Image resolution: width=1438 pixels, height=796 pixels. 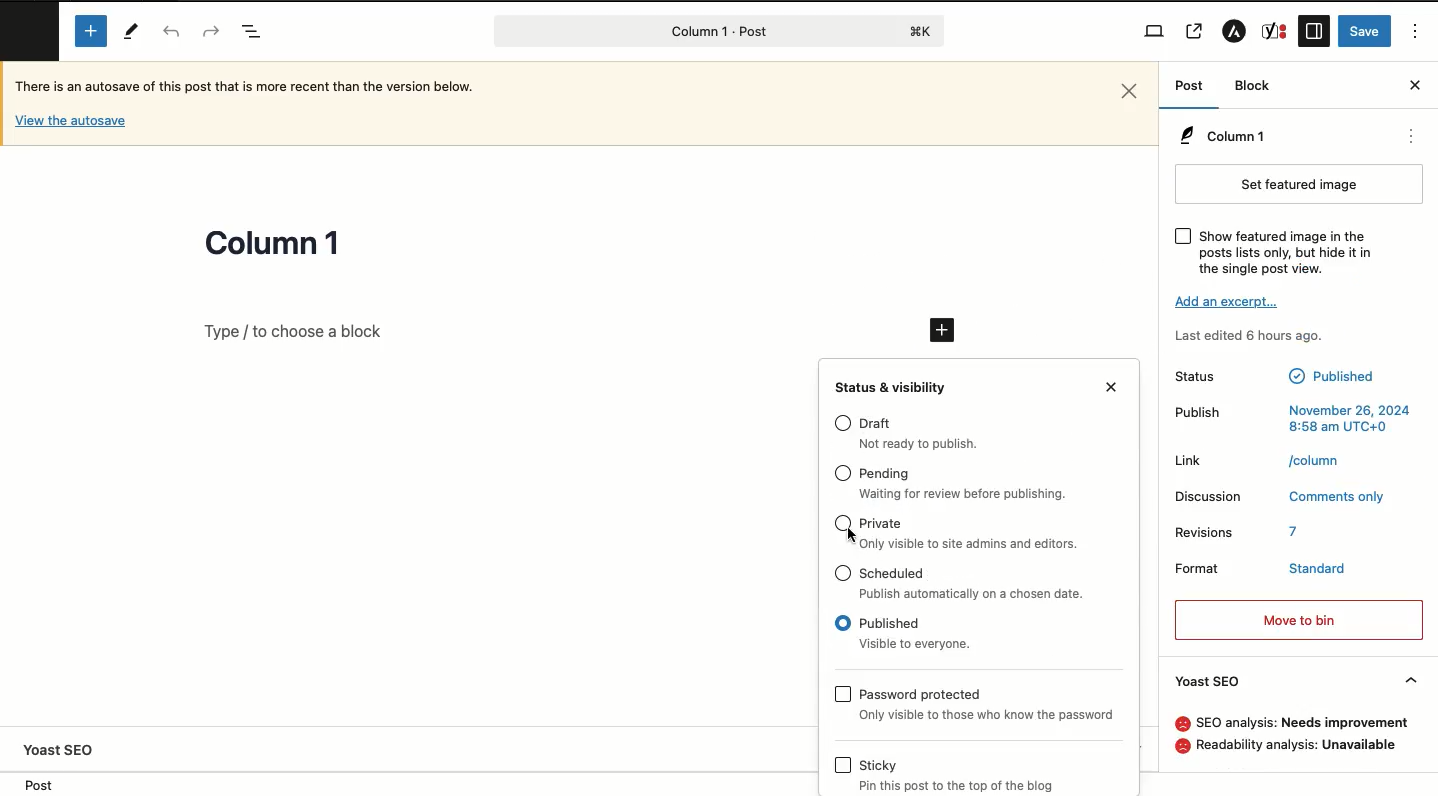 I want to click on Add block, so click(x=93, y=30).